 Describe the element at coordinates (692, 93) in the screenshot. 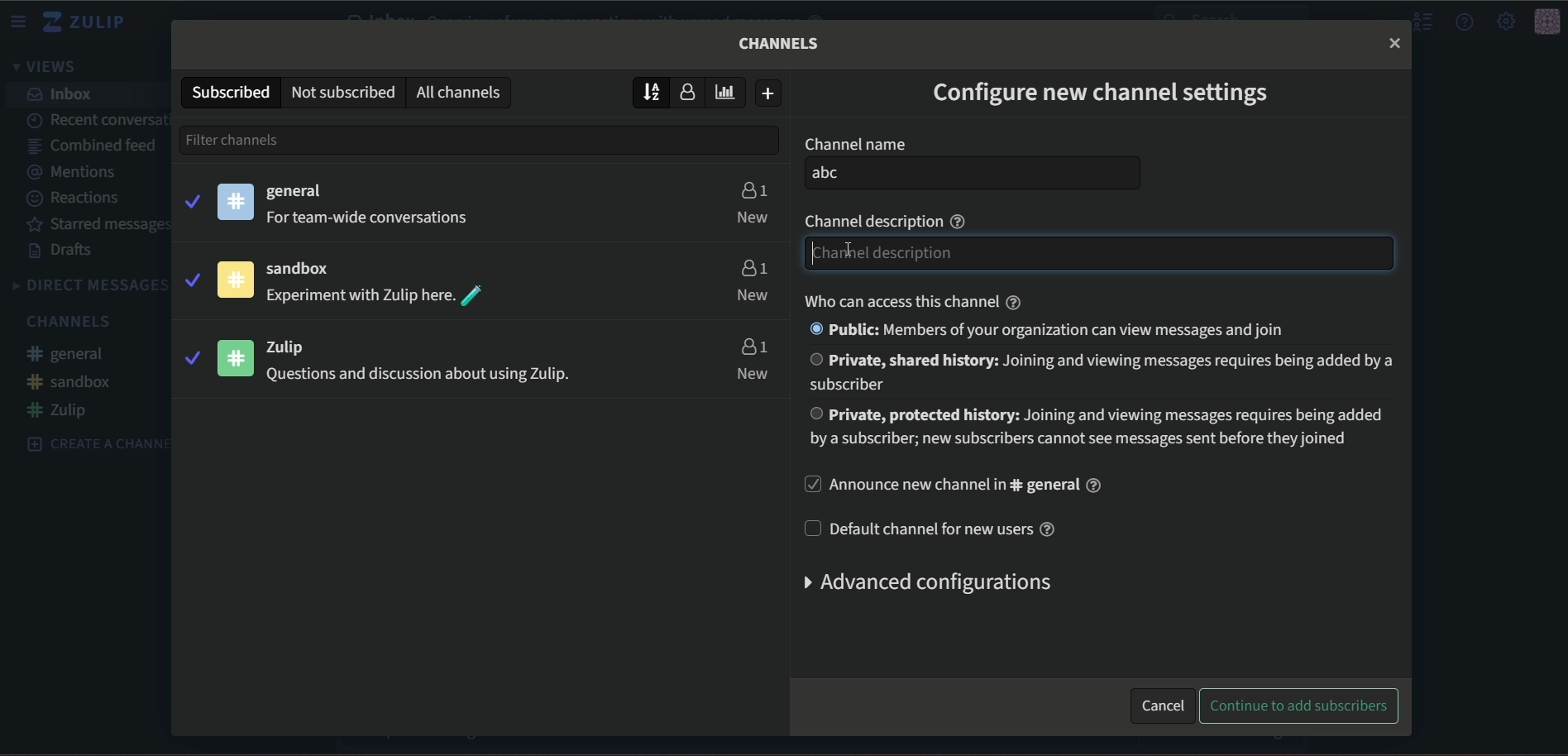

I see `user` at that location.